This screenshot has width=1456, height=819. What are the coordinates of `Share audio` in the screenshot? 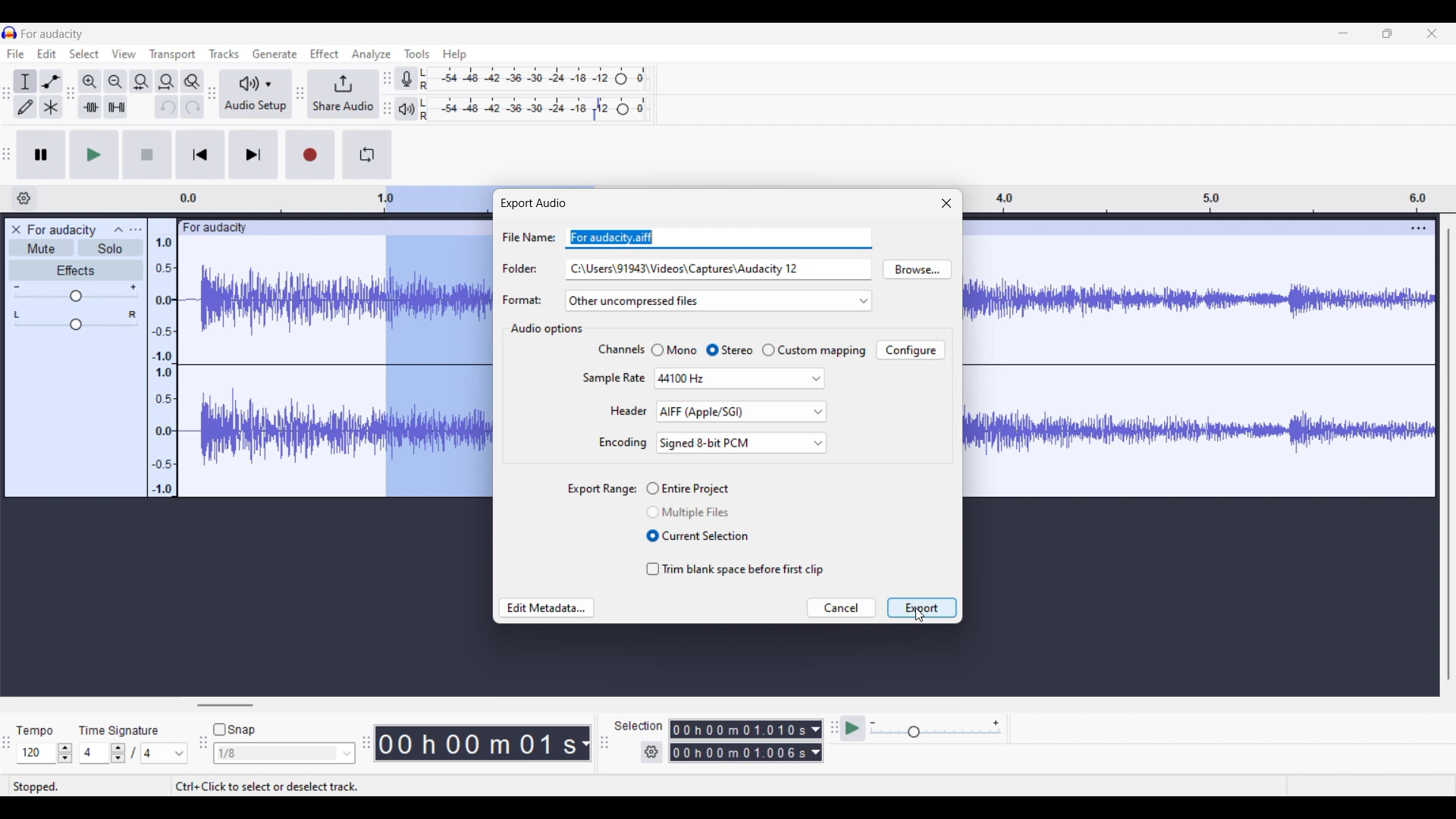 It's located at (342, 94).